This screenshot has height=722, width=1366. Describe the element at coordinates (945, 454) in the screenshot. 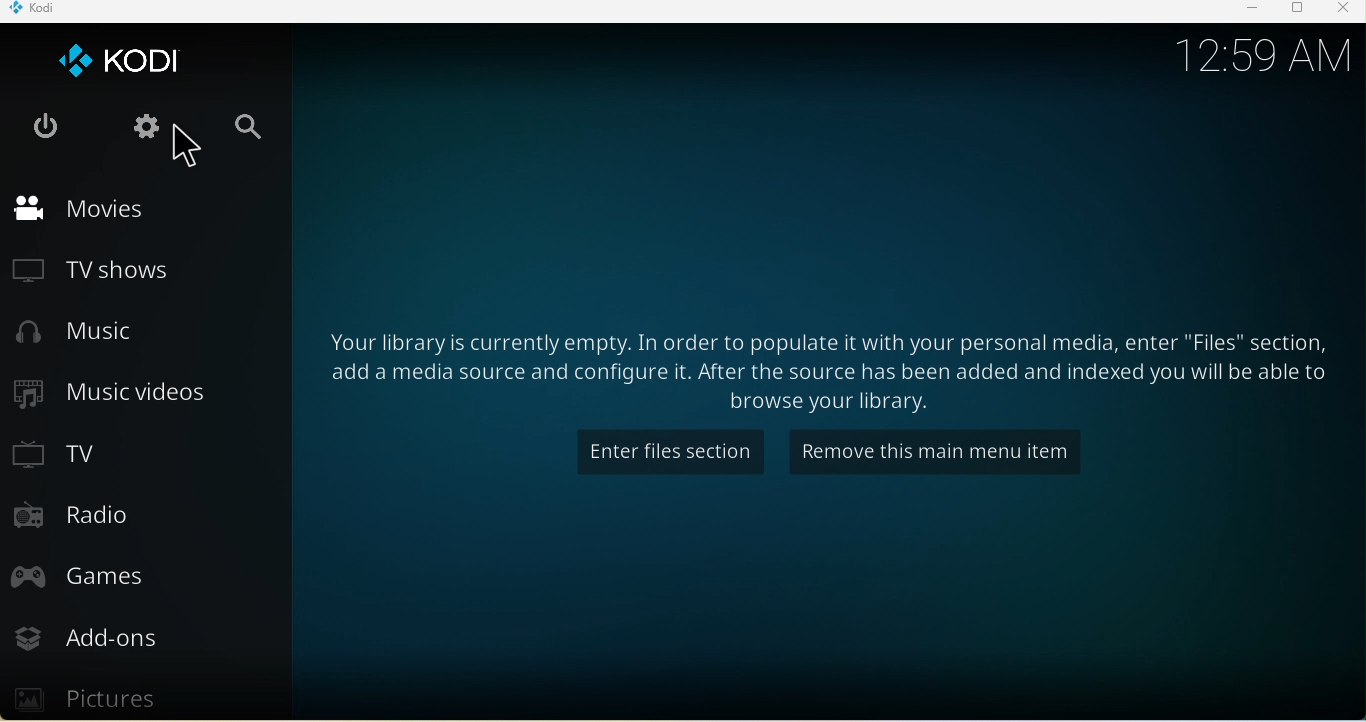

I see `Remove this icon from the main menu` at that location.